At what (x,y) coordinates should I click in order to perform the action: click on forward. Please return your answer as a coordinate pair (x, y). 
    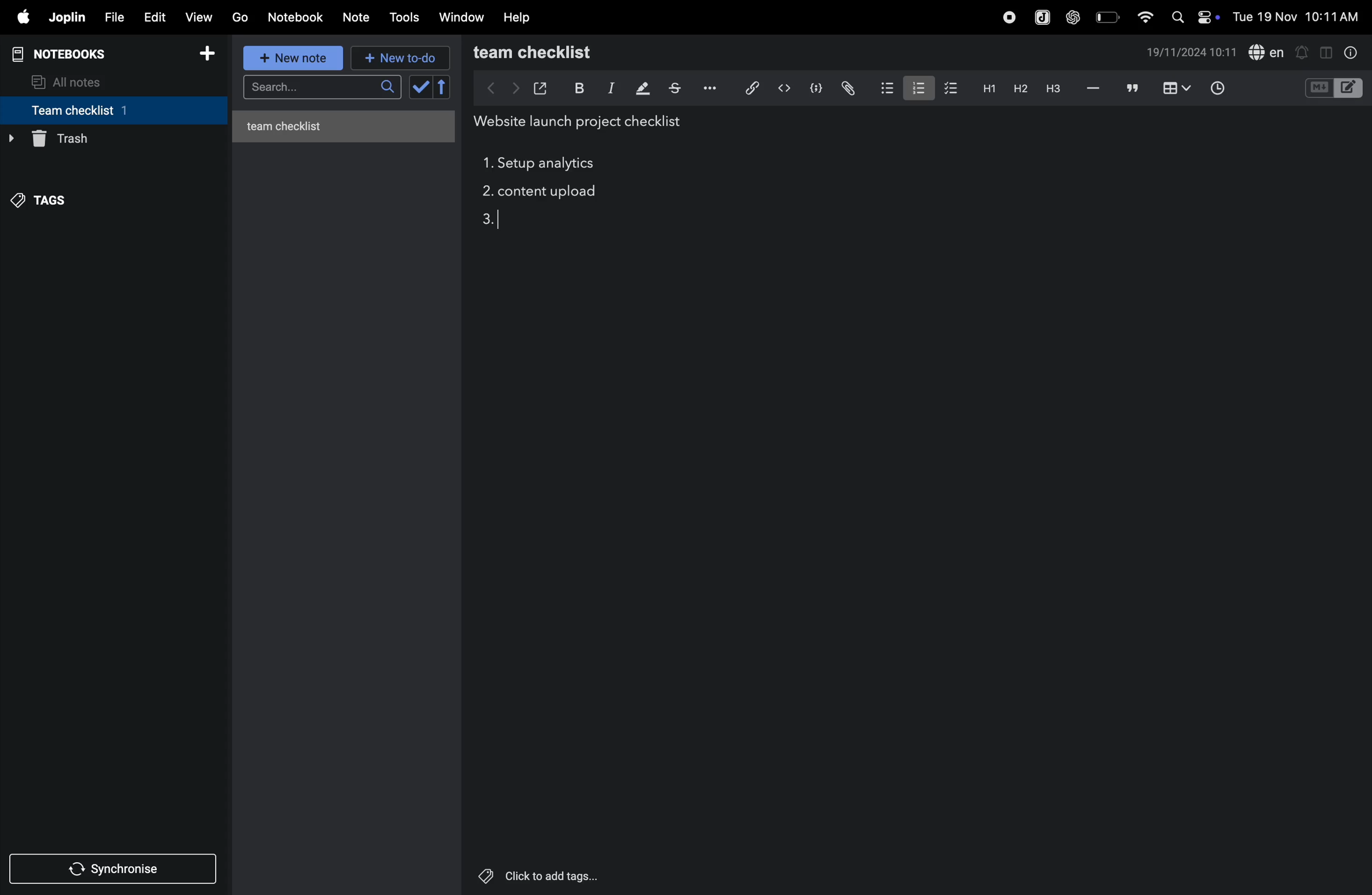
    Looking at the image, I should click on (512, 88).